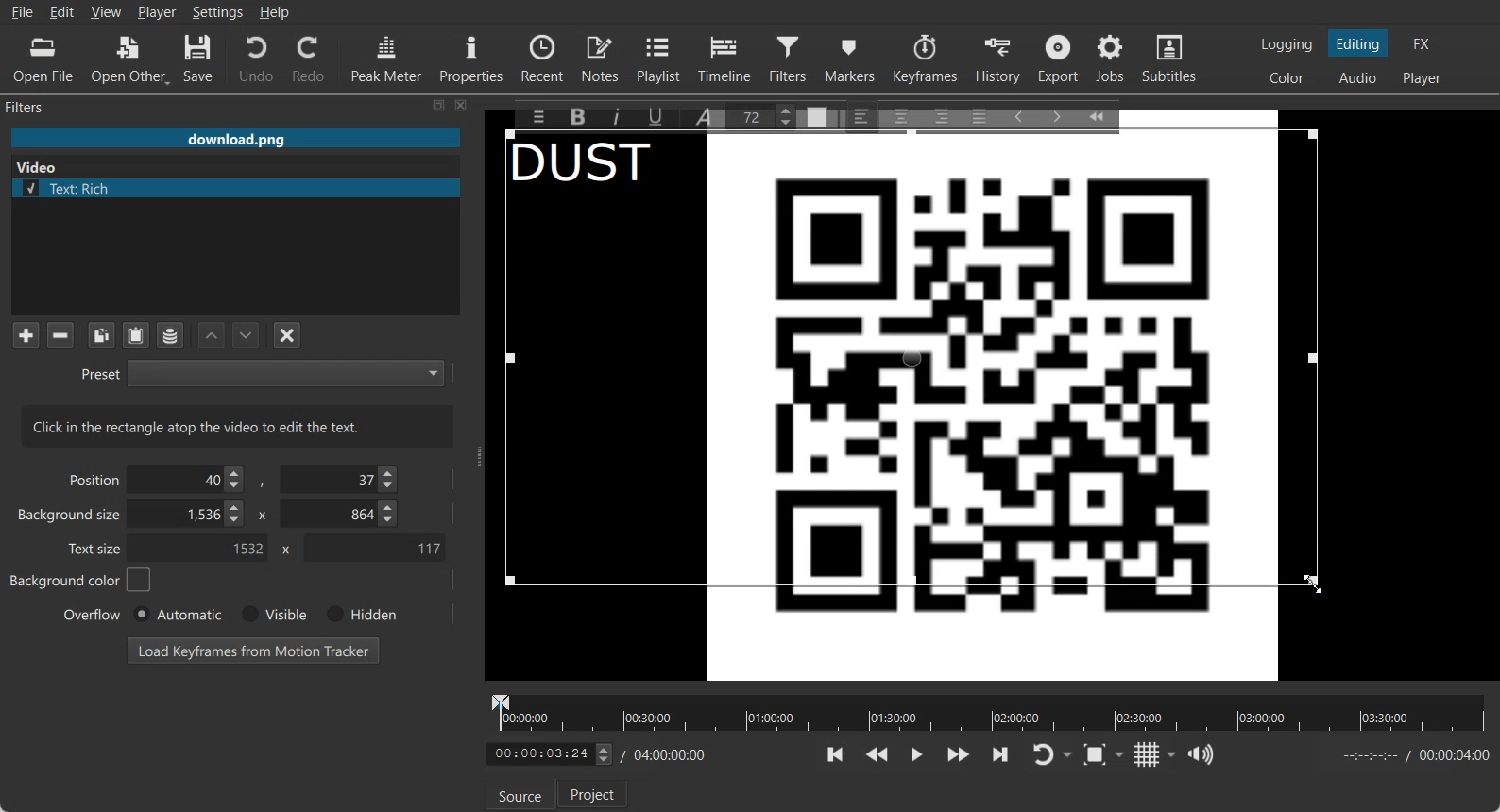 The image size is (1500, 812). What do you see at coordinates (940, 115) in the screenshot?
I see `Right` at bounding box center [940, 115].